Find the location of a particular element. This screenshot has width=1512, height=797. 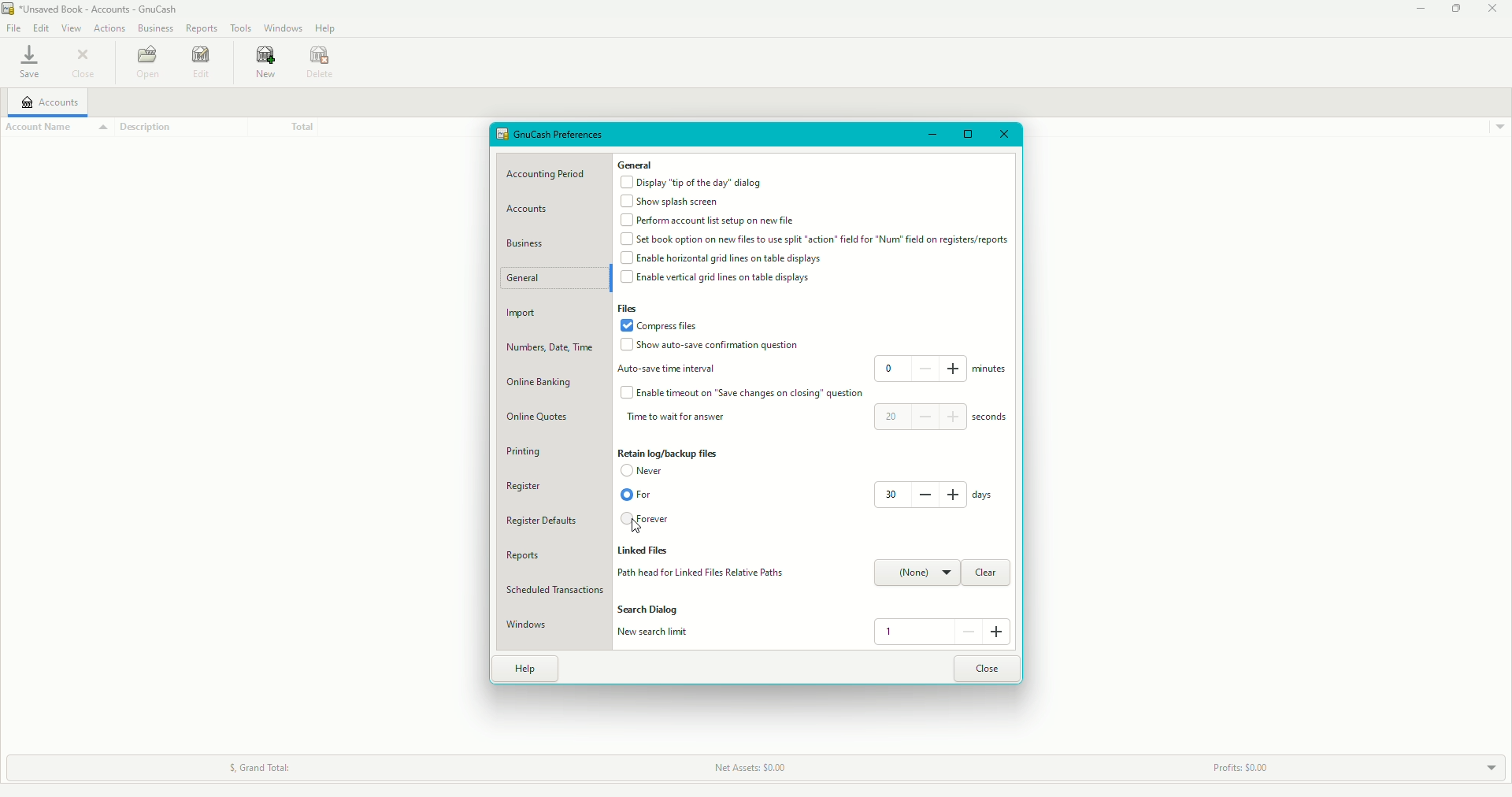

Drop down is located at coordinates (1499, 127).